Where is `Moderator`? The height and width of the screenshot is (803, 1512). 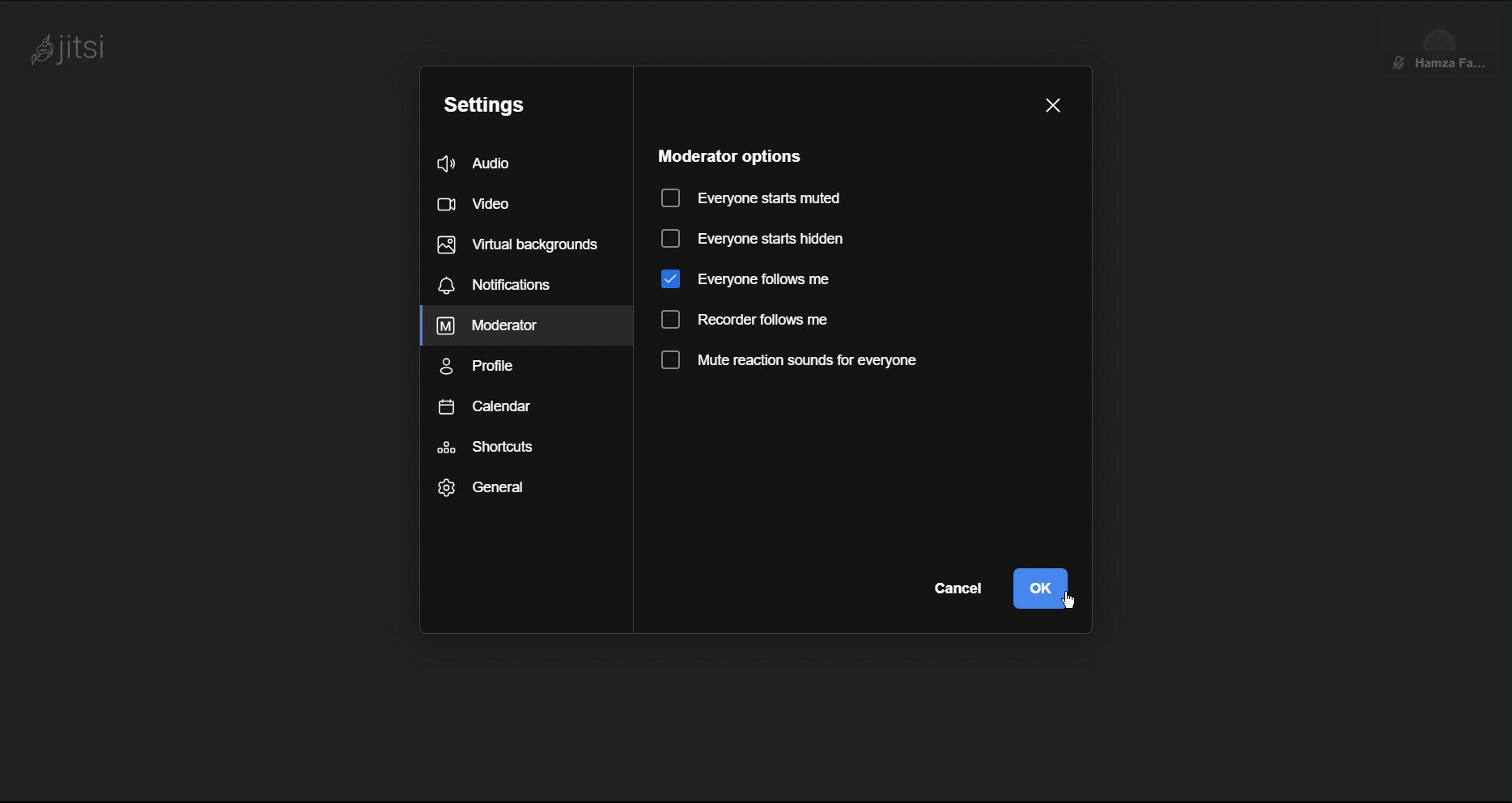 Moderator is located at coordinates (491, 326).